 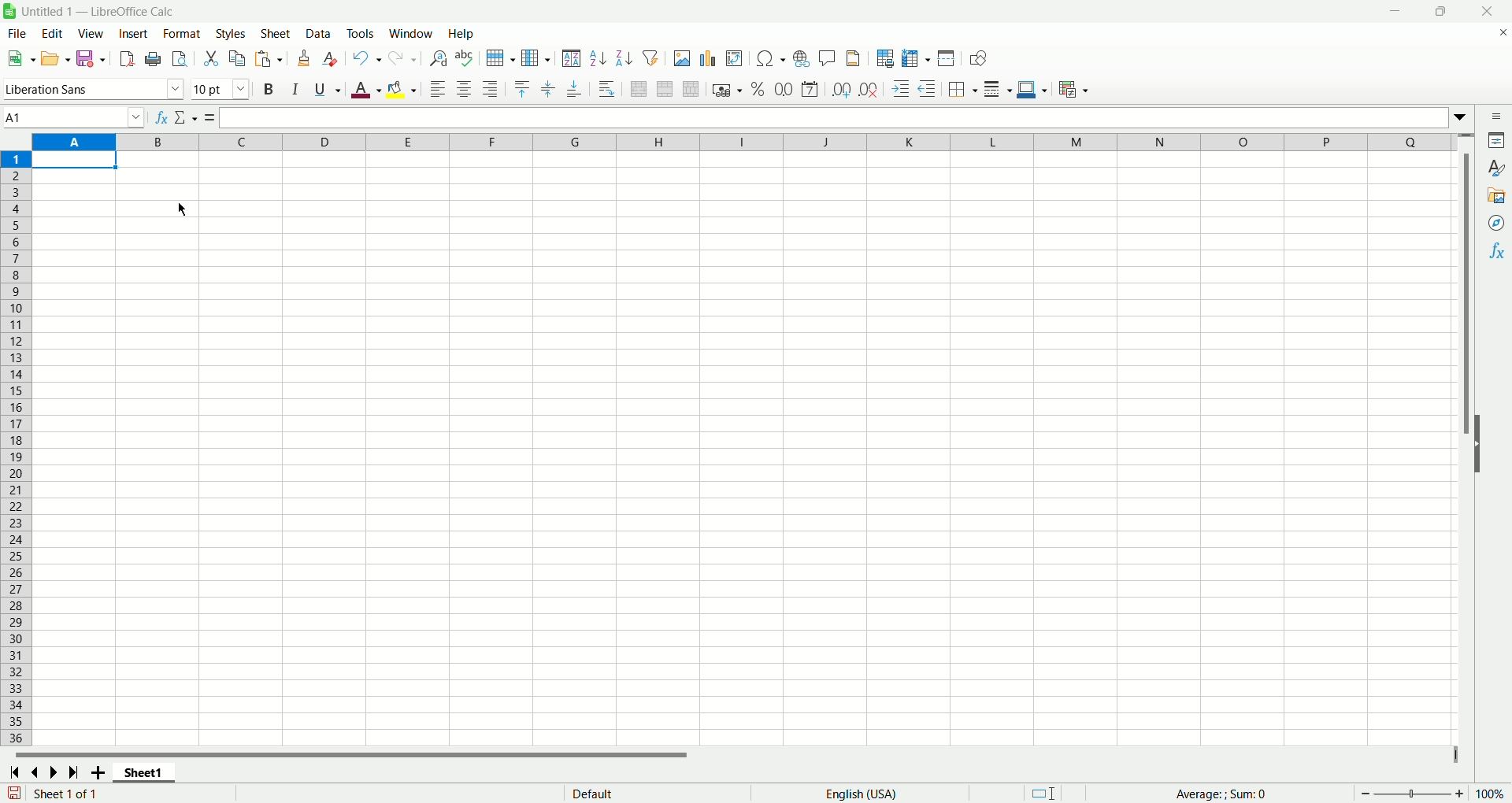 I want to click on remove decimal place, so click(x=869, y=90).